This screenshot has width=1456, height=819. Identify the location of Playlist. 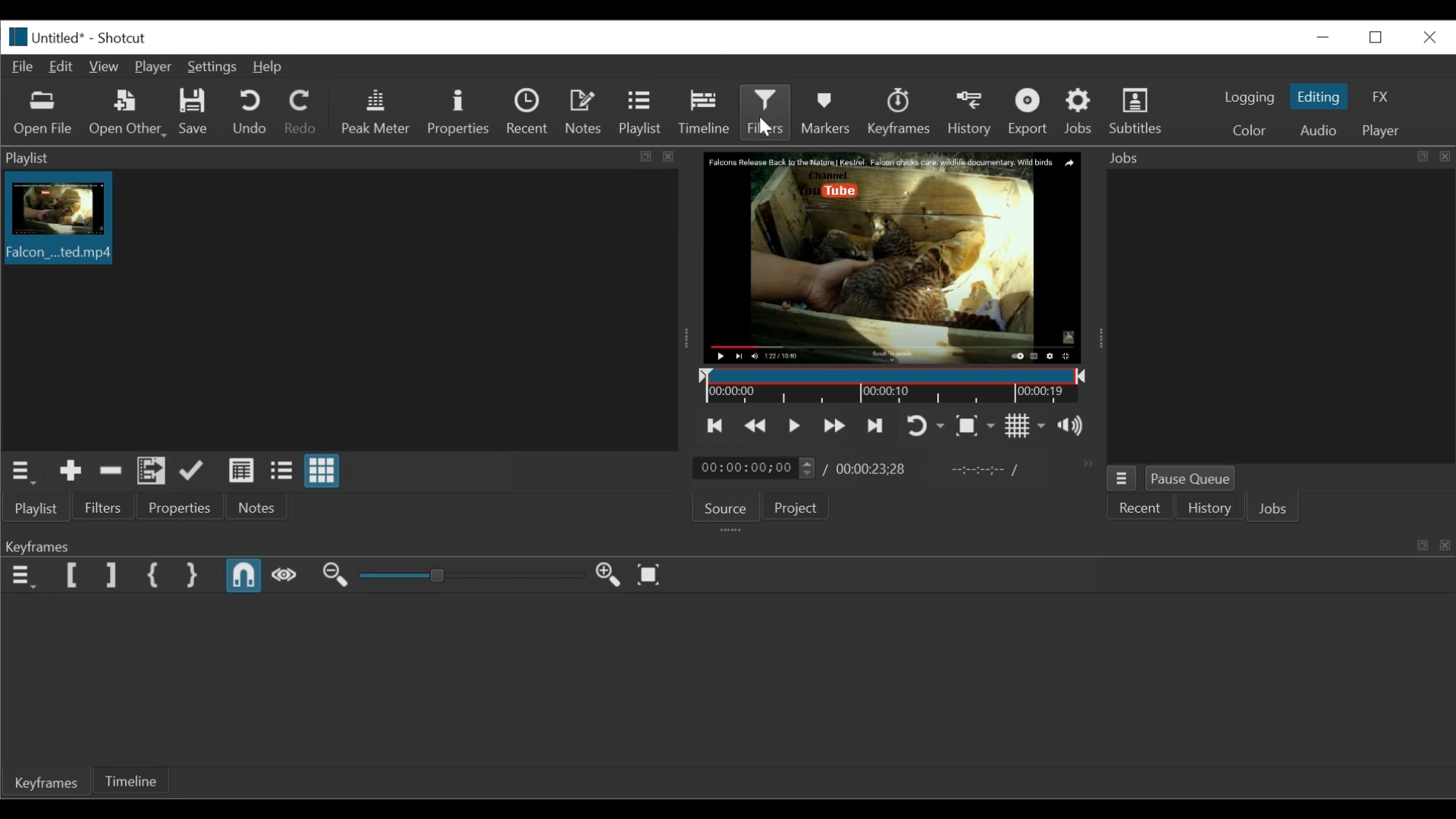
(640, 114).